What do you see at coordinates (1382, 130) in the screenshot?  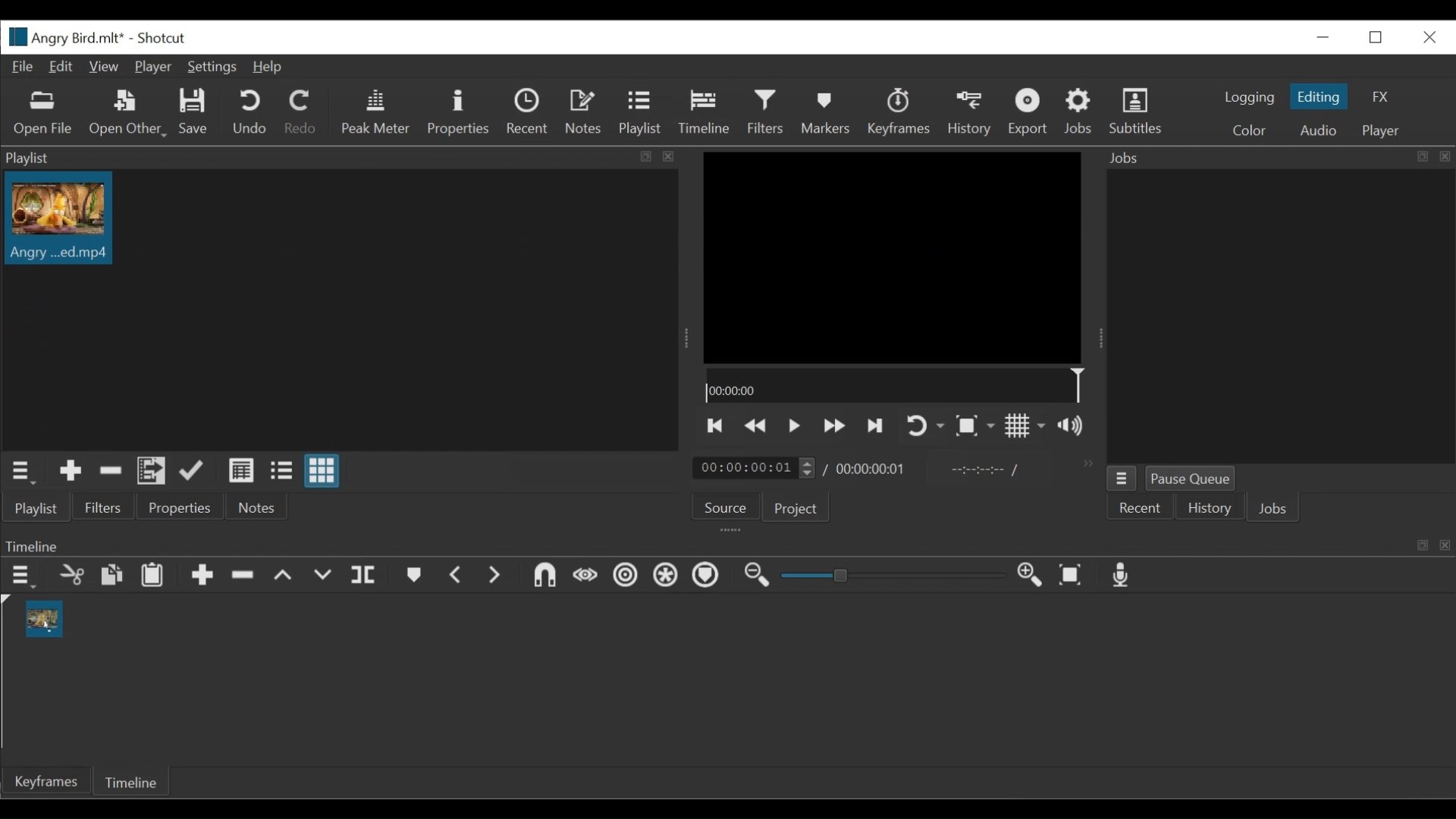 I see `Player` at bounding box center [1382, 130].